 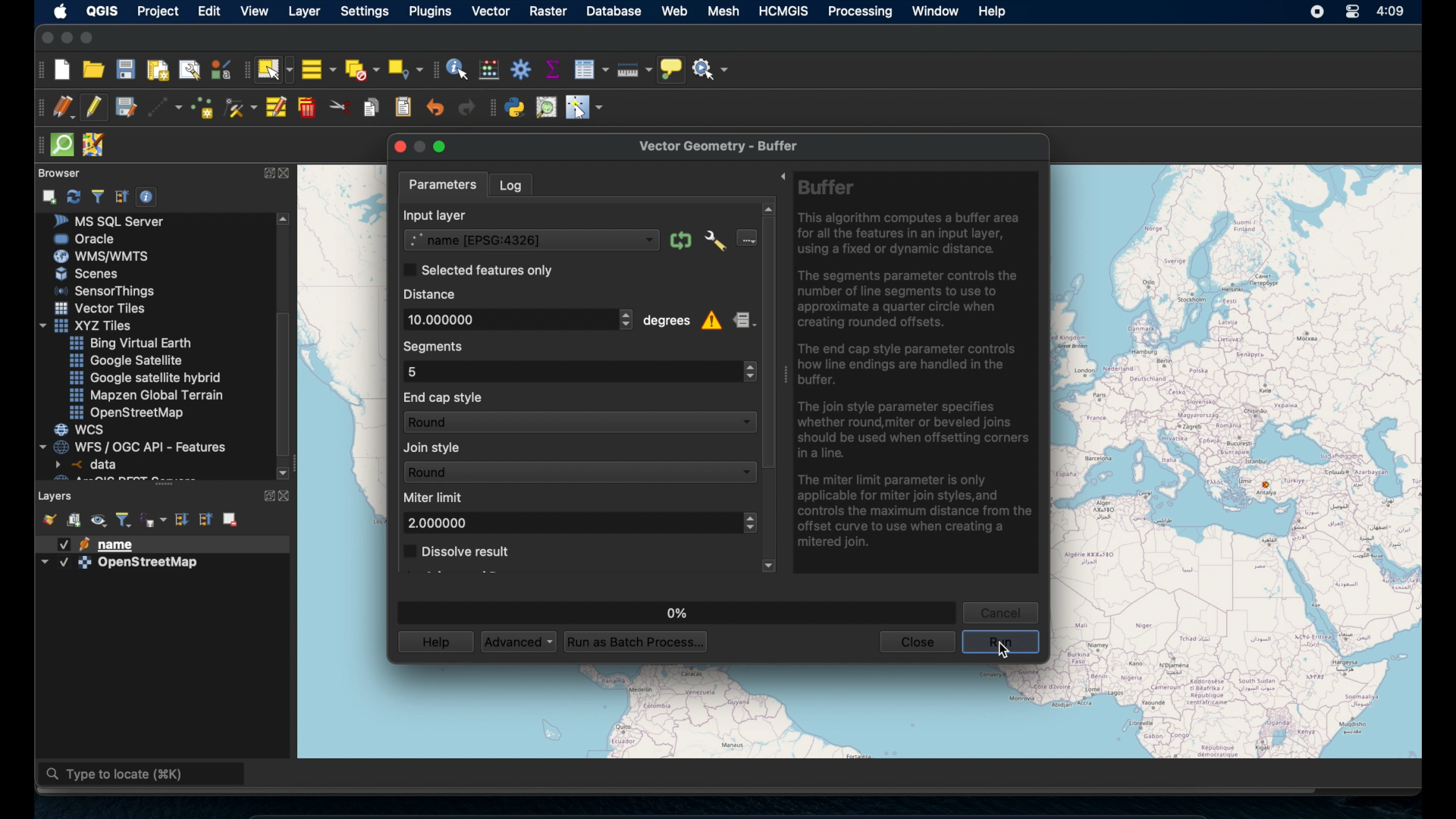 I want to click on advanced options, so click(x=715, y=241).